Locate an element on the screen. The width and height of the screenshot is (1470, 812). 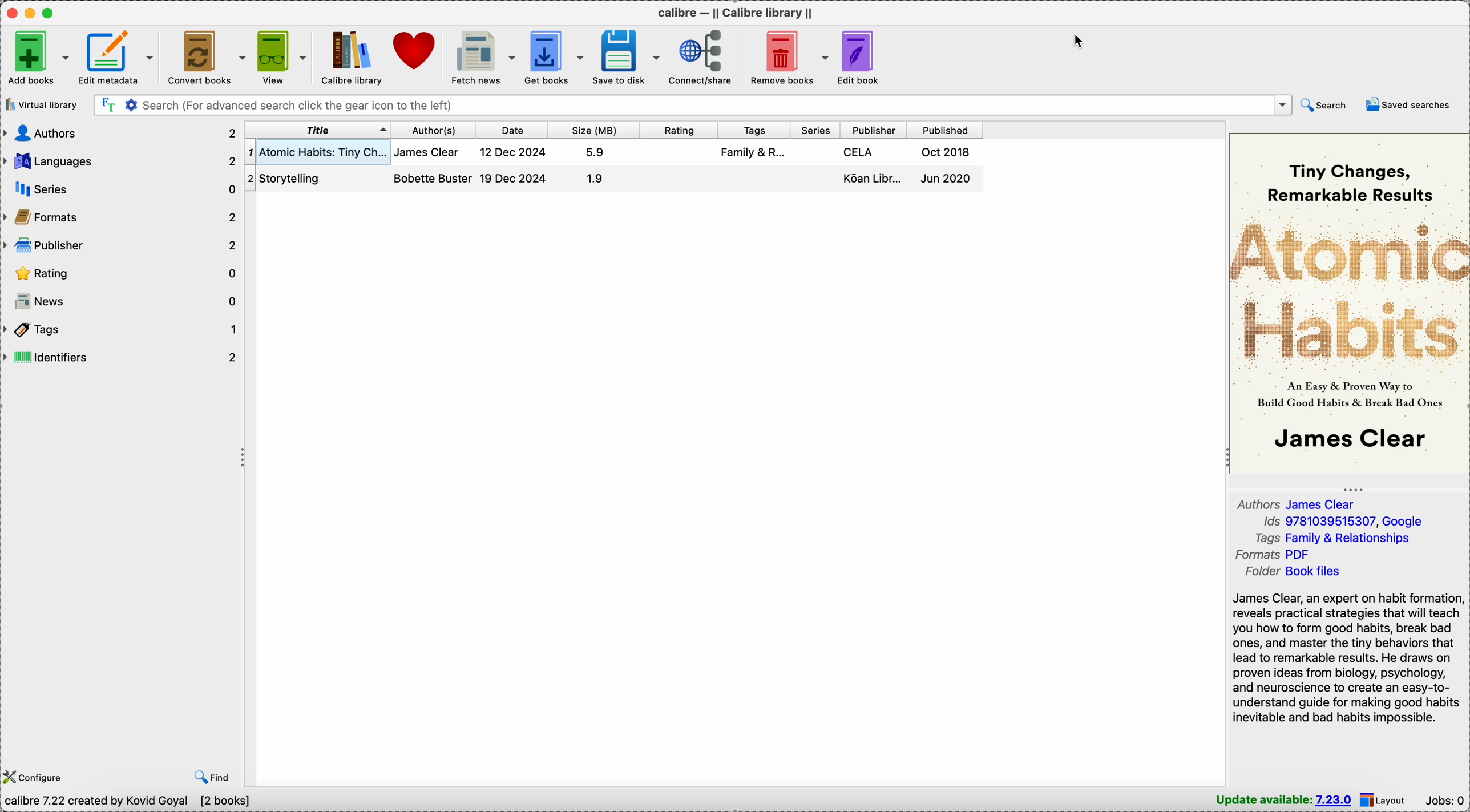
tags is located at coordinates (122, 330).